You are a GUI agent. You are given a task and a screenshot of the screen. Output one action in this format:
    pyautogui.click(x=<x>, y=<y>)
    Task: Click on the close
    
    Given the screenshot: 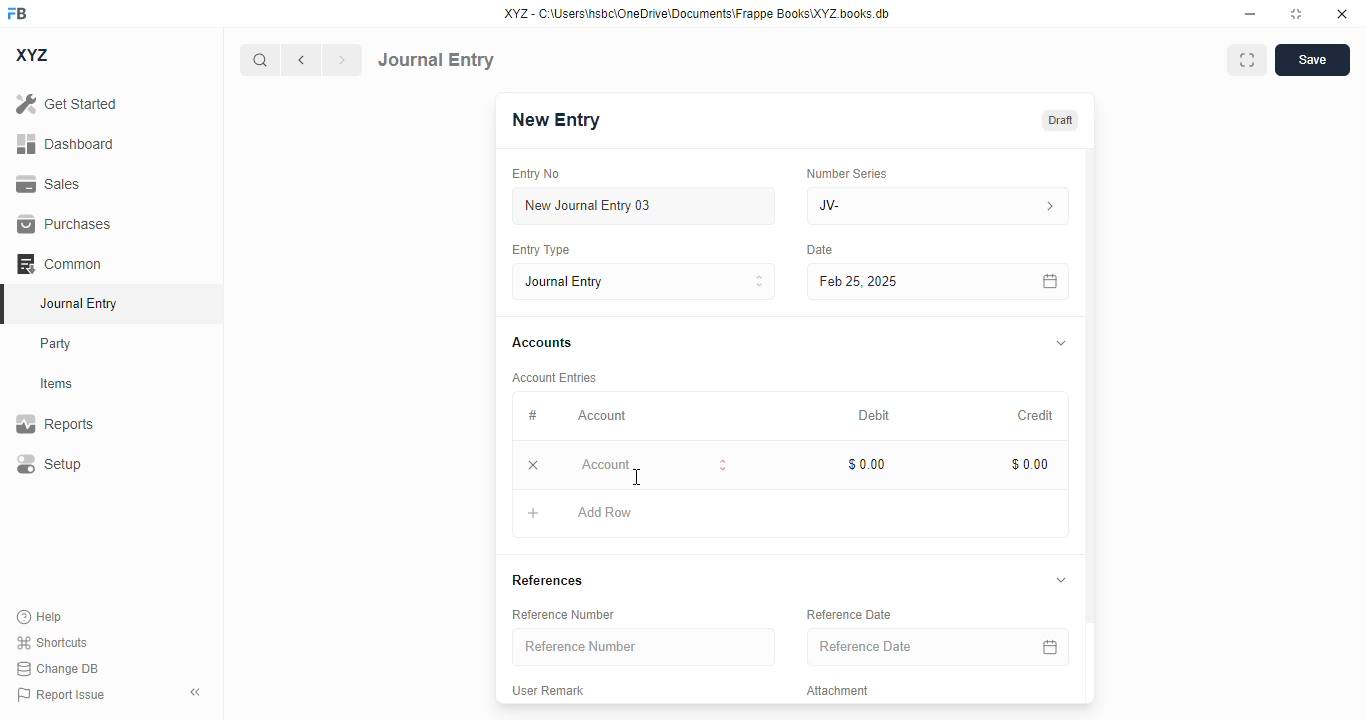 What is the action you would take?
    pyautogui.click(x=1342, y=13)
    